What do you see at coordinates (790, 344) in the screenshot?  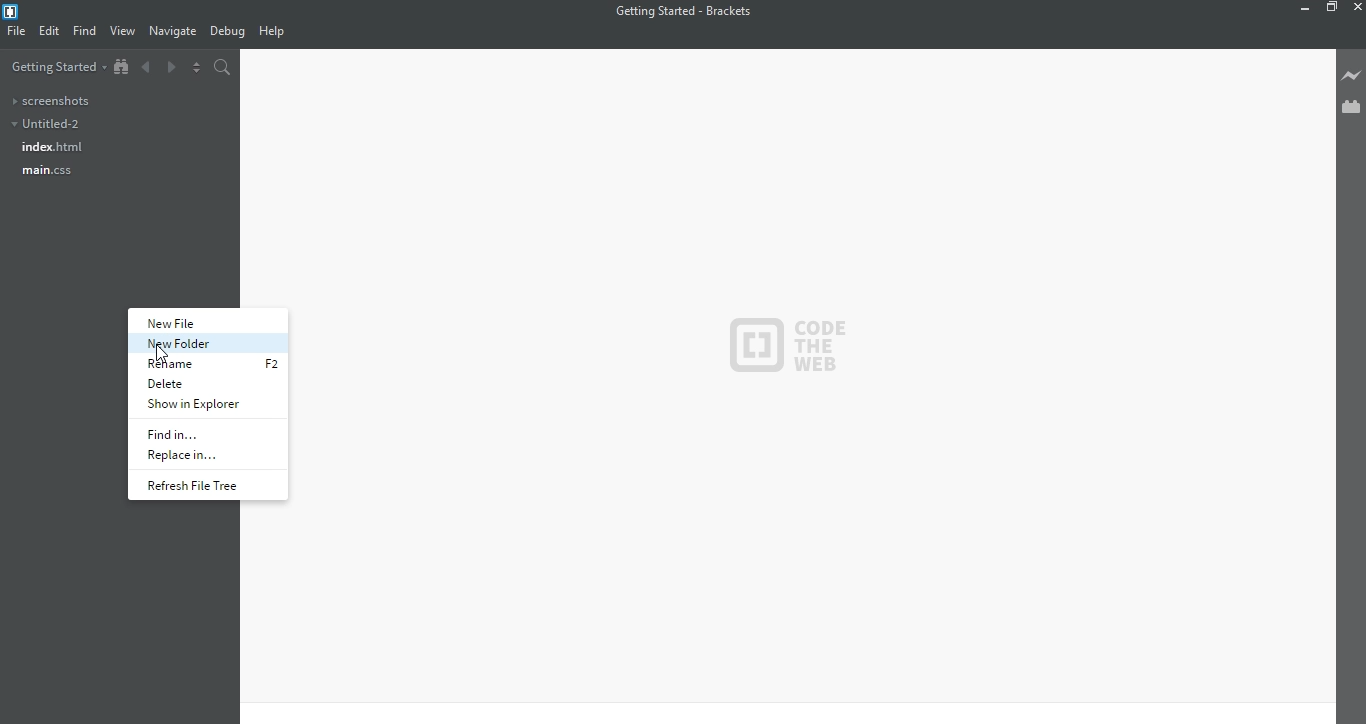 I see `code the web` at bounding box center [790, 344].